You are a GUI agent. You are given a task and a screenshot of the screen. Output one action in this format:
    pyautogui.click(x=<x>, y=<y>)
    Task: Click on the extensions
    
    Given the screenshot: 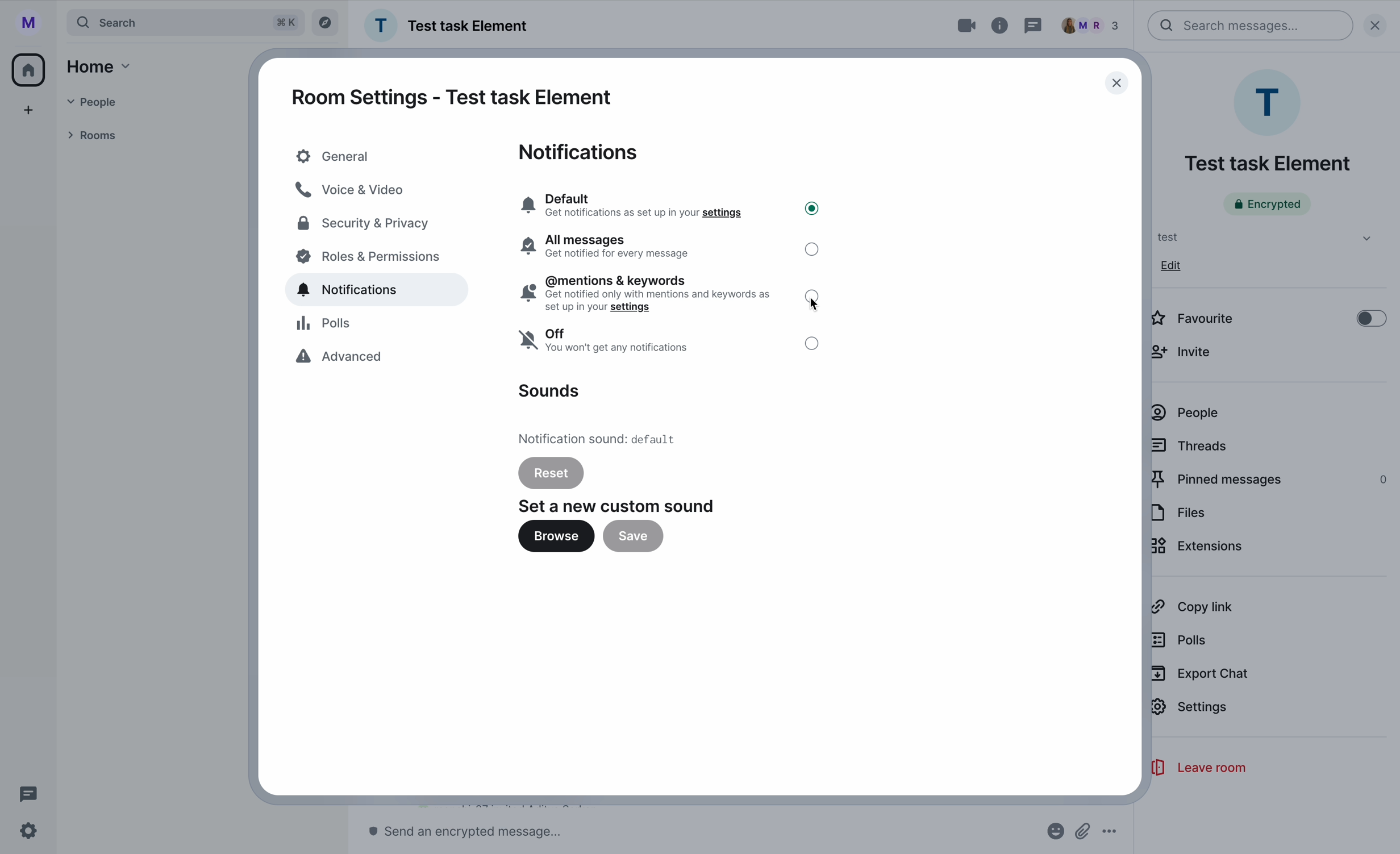 What is the action you would take?
    pyautogui.click(x=1199, y=548)
    